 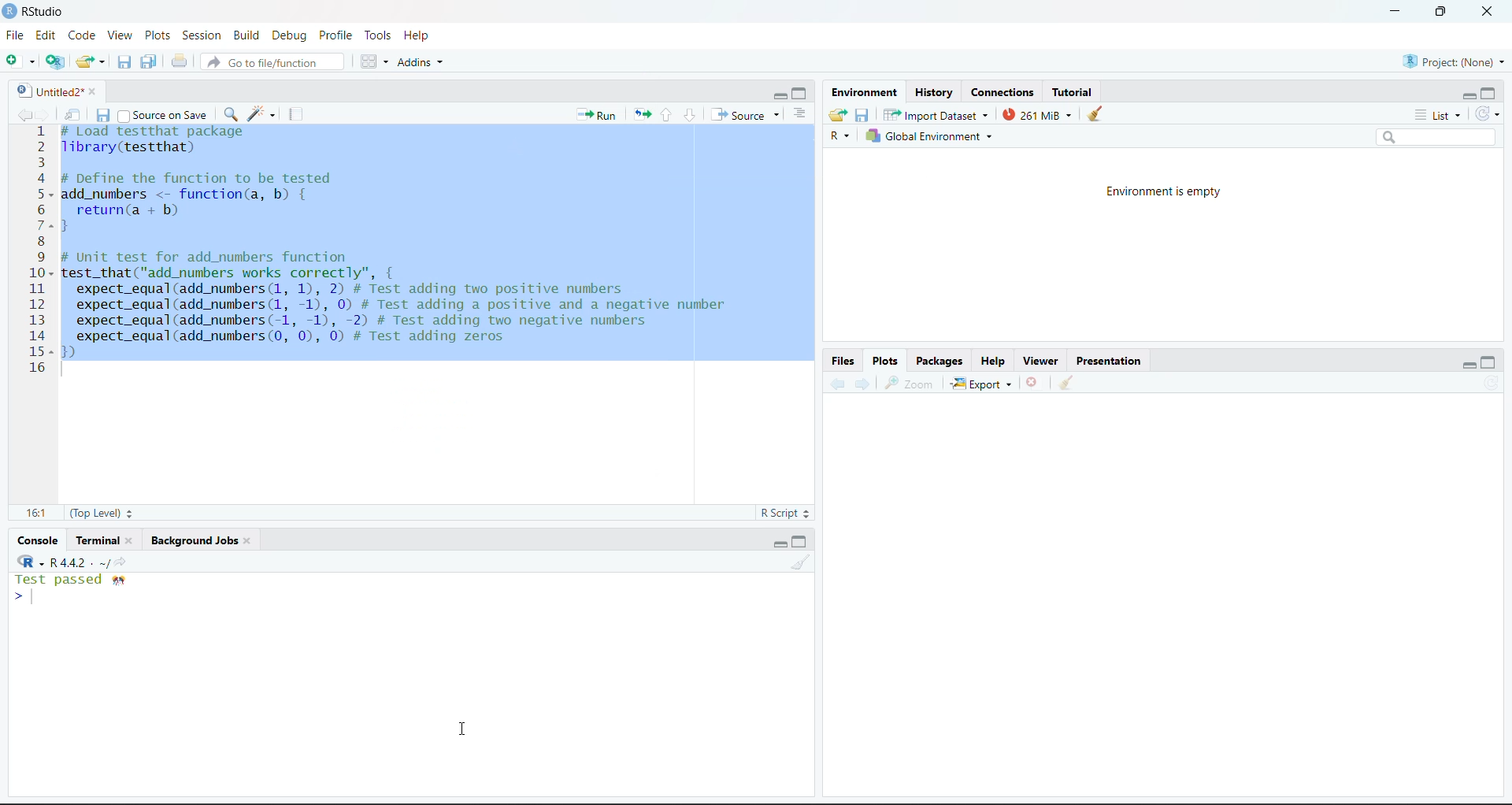 I want to click on Forward, so click(x=862, y=382).